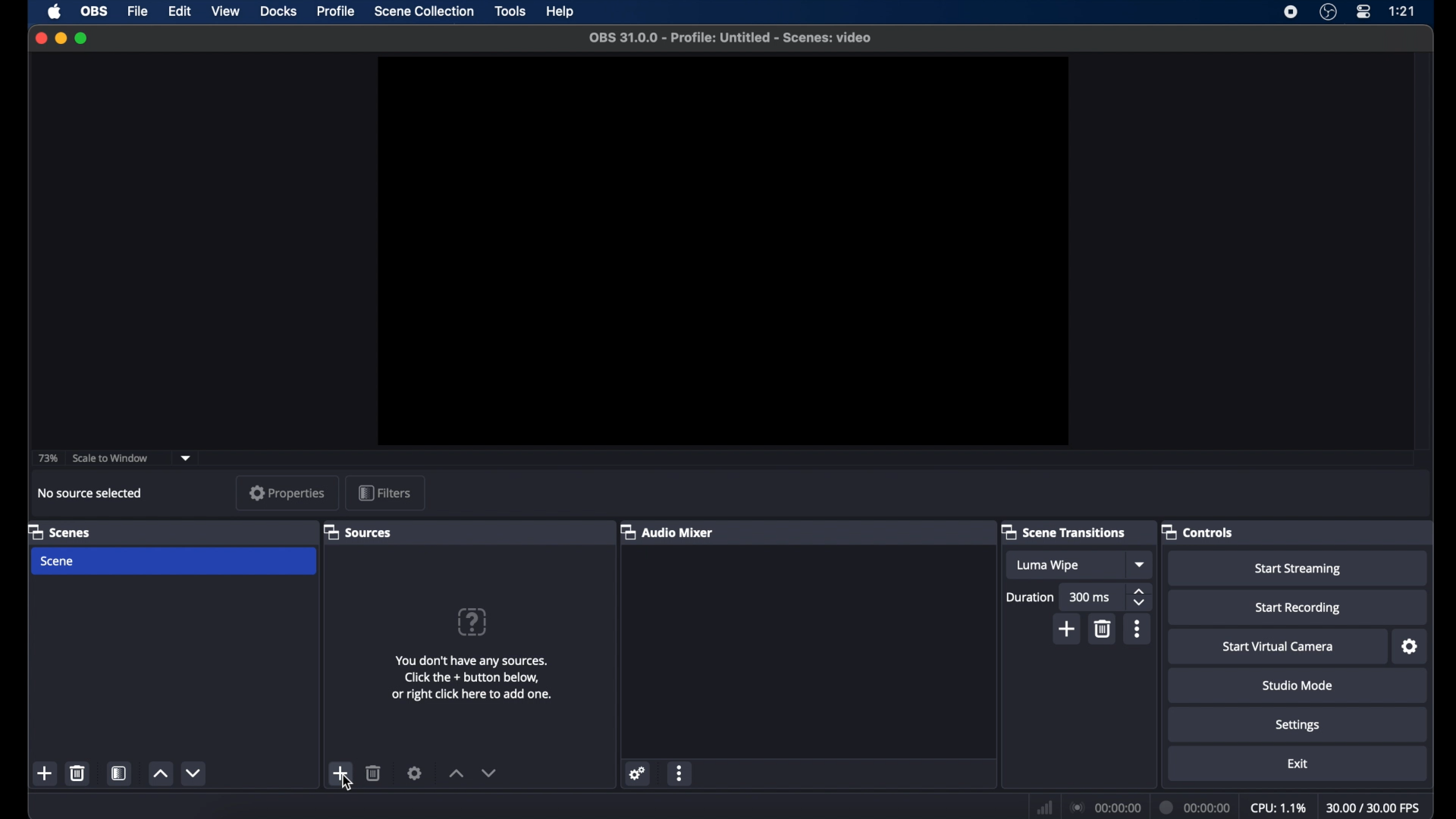  Describe the element at coordinates (1297, 724) in the screenshot. I see `settings` at that location.